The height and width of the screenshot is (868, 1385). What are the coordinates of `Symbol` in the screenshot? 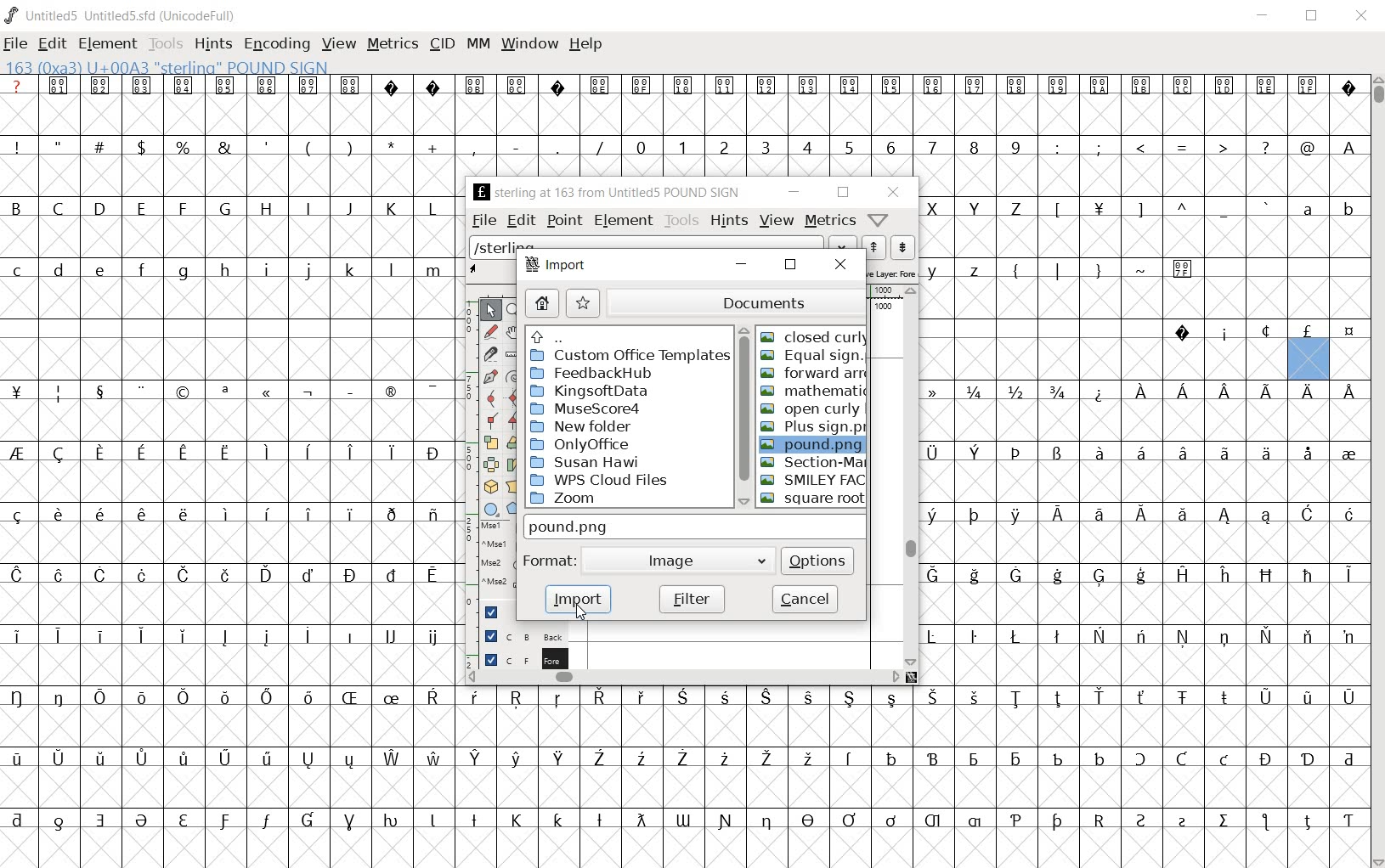 It's located at (58, 634).